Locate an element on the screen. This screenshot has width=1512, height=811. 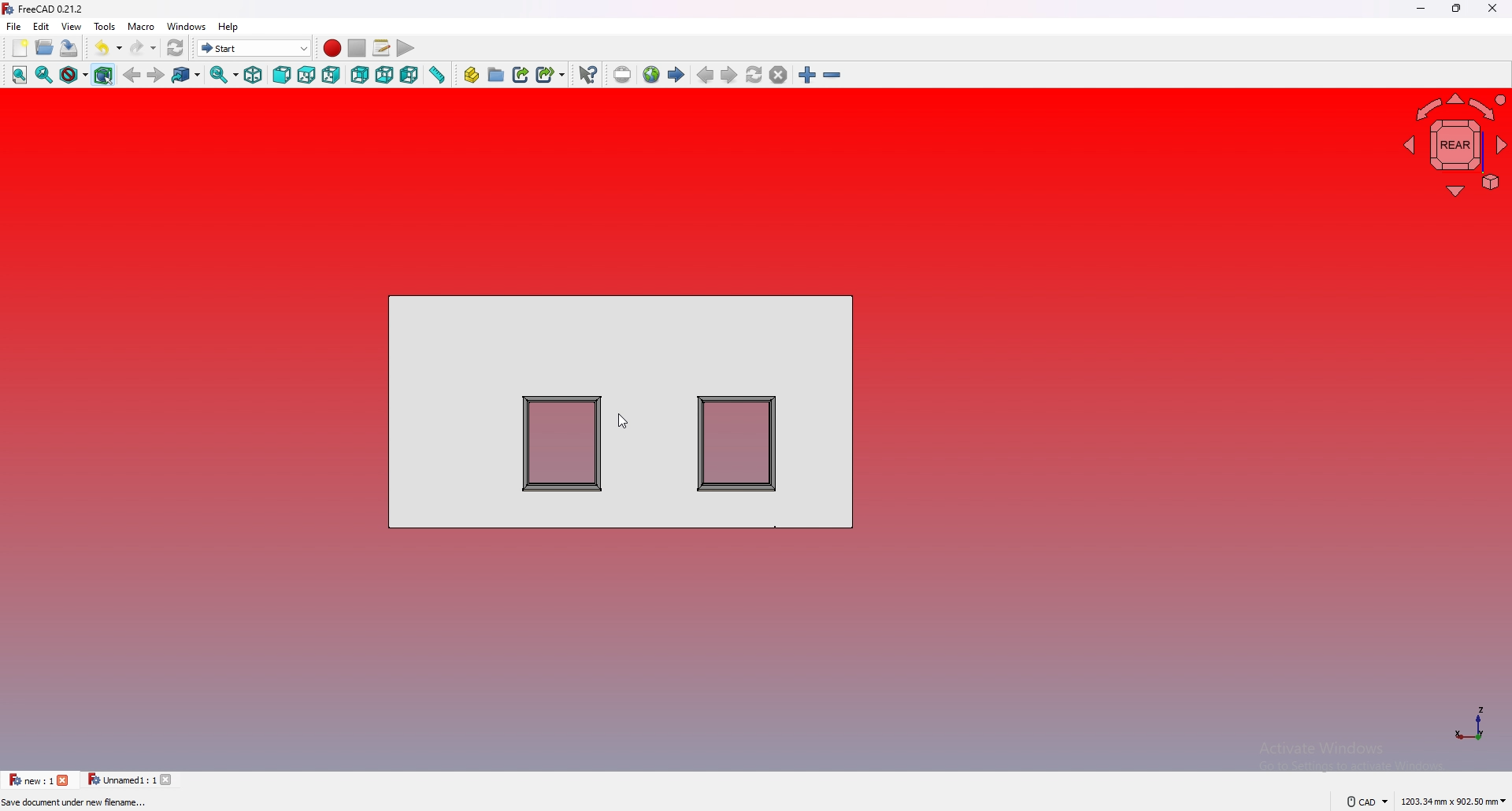
open website is located at coordinates (651, 75).